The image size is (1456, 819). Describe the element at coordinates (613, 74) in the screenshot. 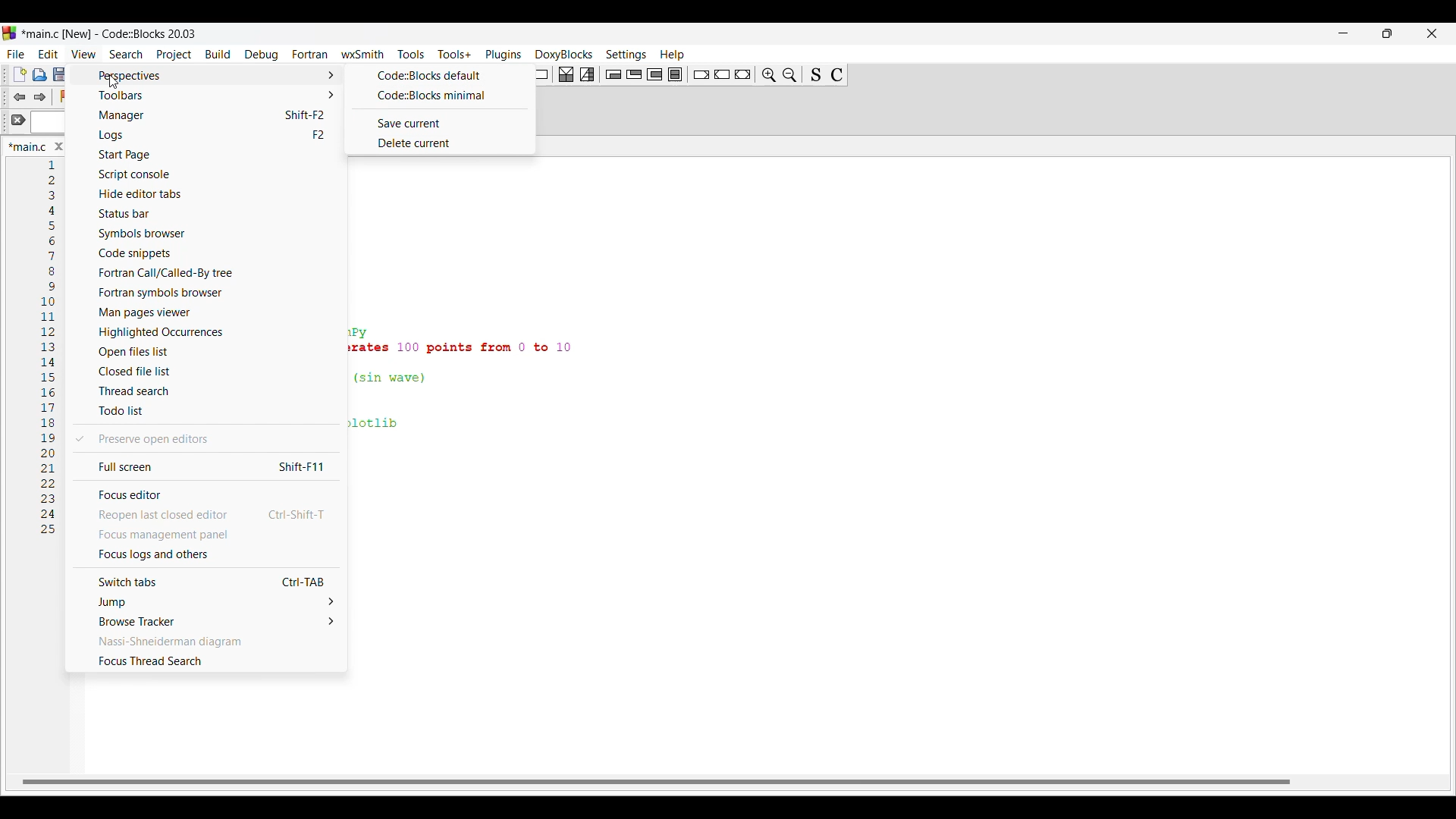

I see `Entry condition loop` at that location.